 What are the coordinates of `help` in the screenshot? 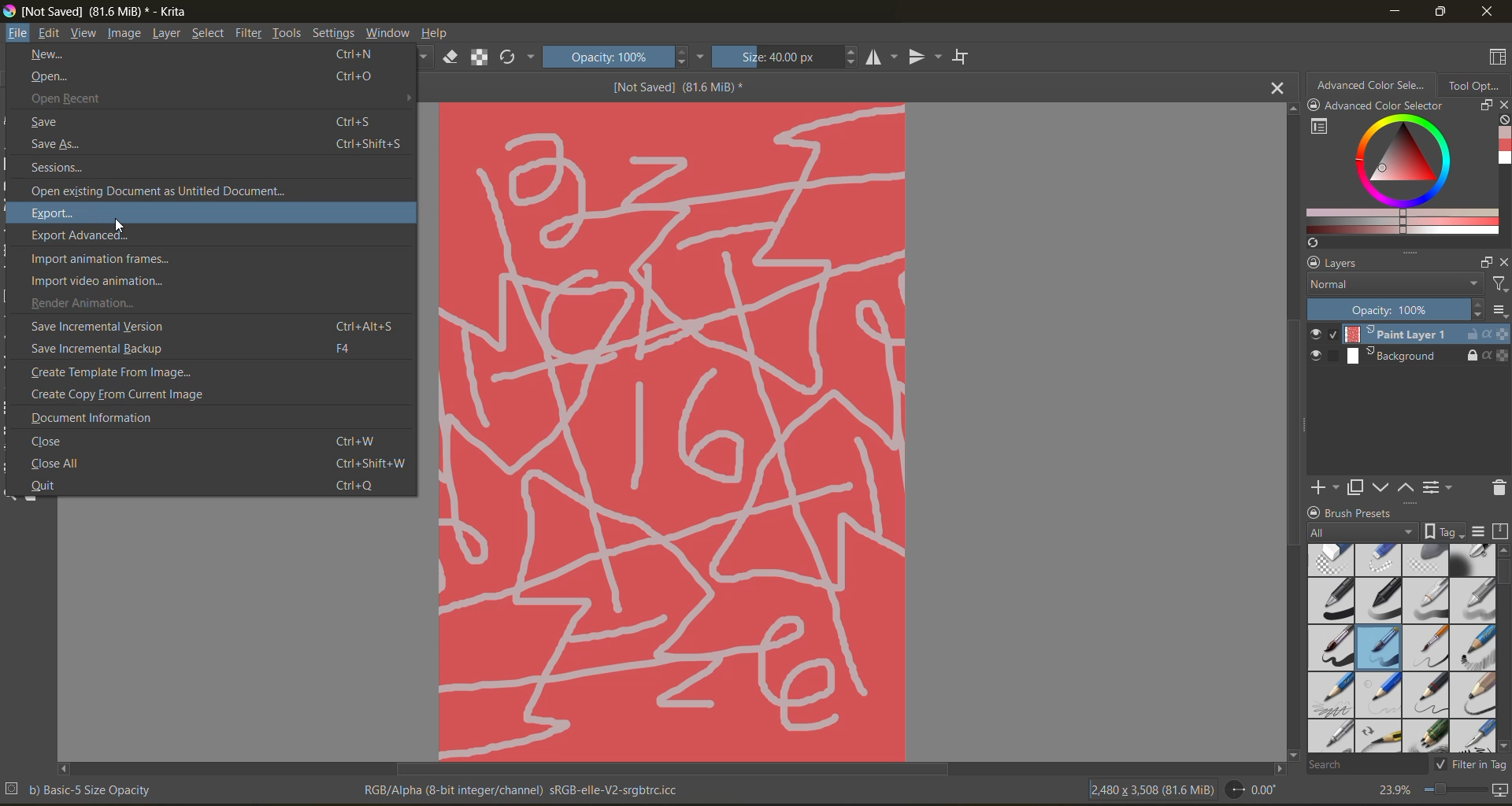 It's located at (435, 35).